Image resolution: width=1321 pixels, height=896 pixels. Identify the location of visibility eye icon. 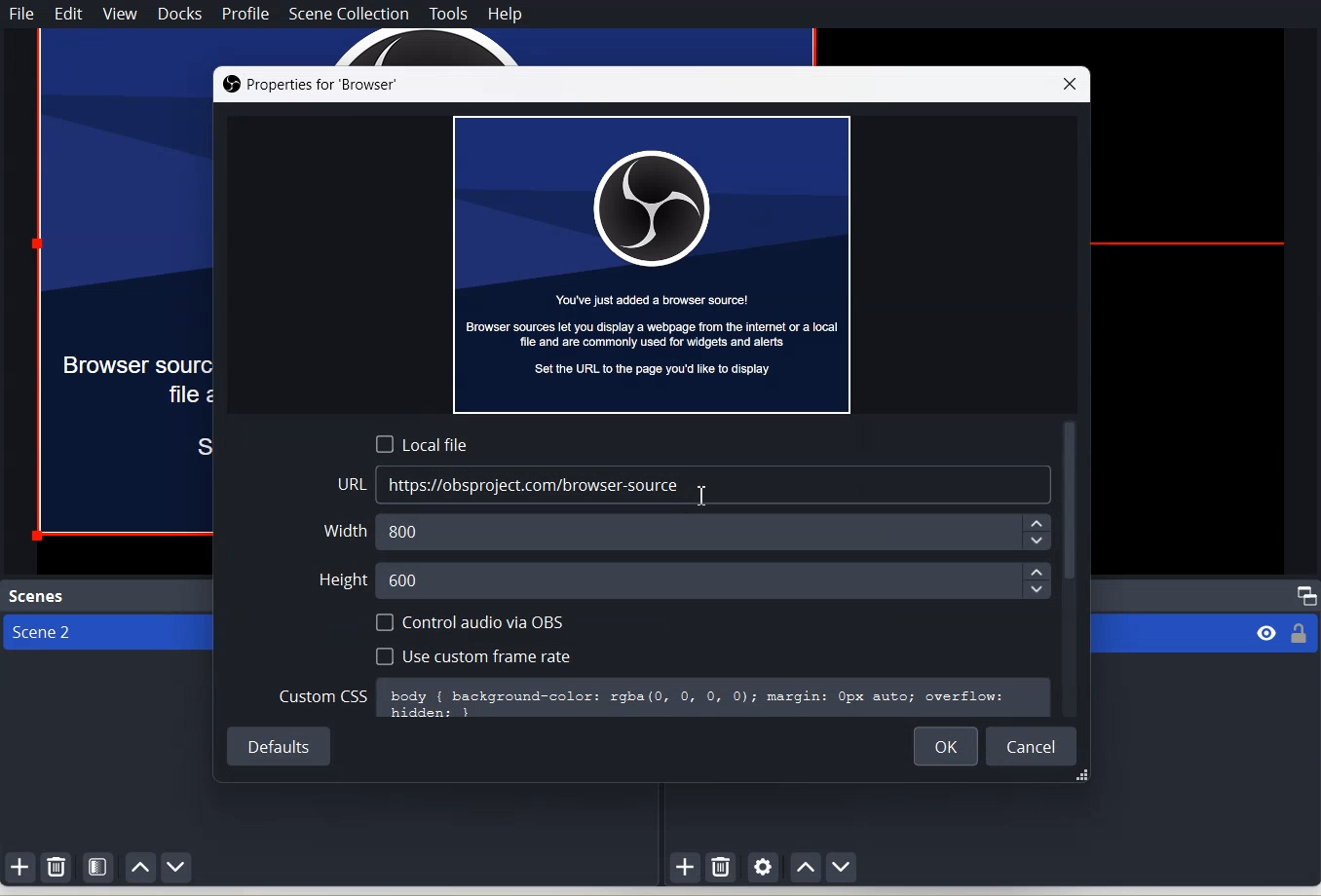
(1266, 632).